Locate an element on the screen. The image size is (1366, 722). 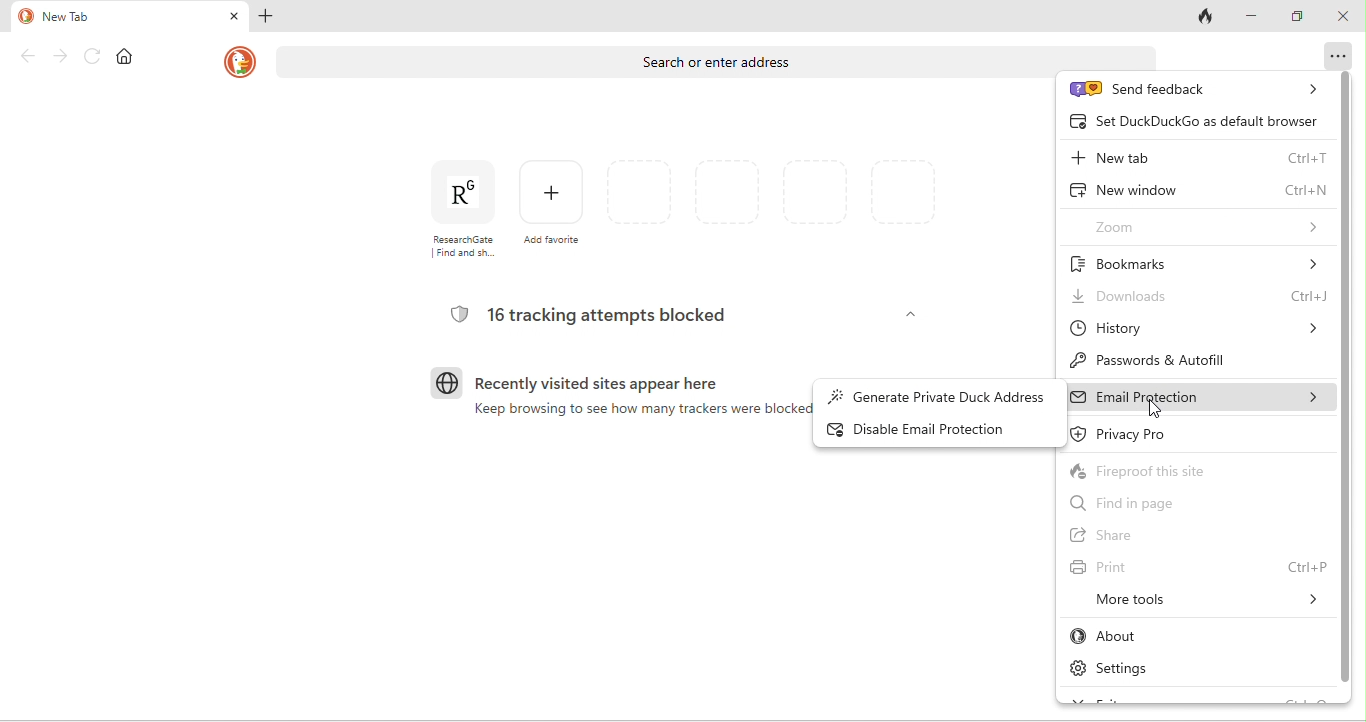
disable email protection is located at coordinates (940, 428).